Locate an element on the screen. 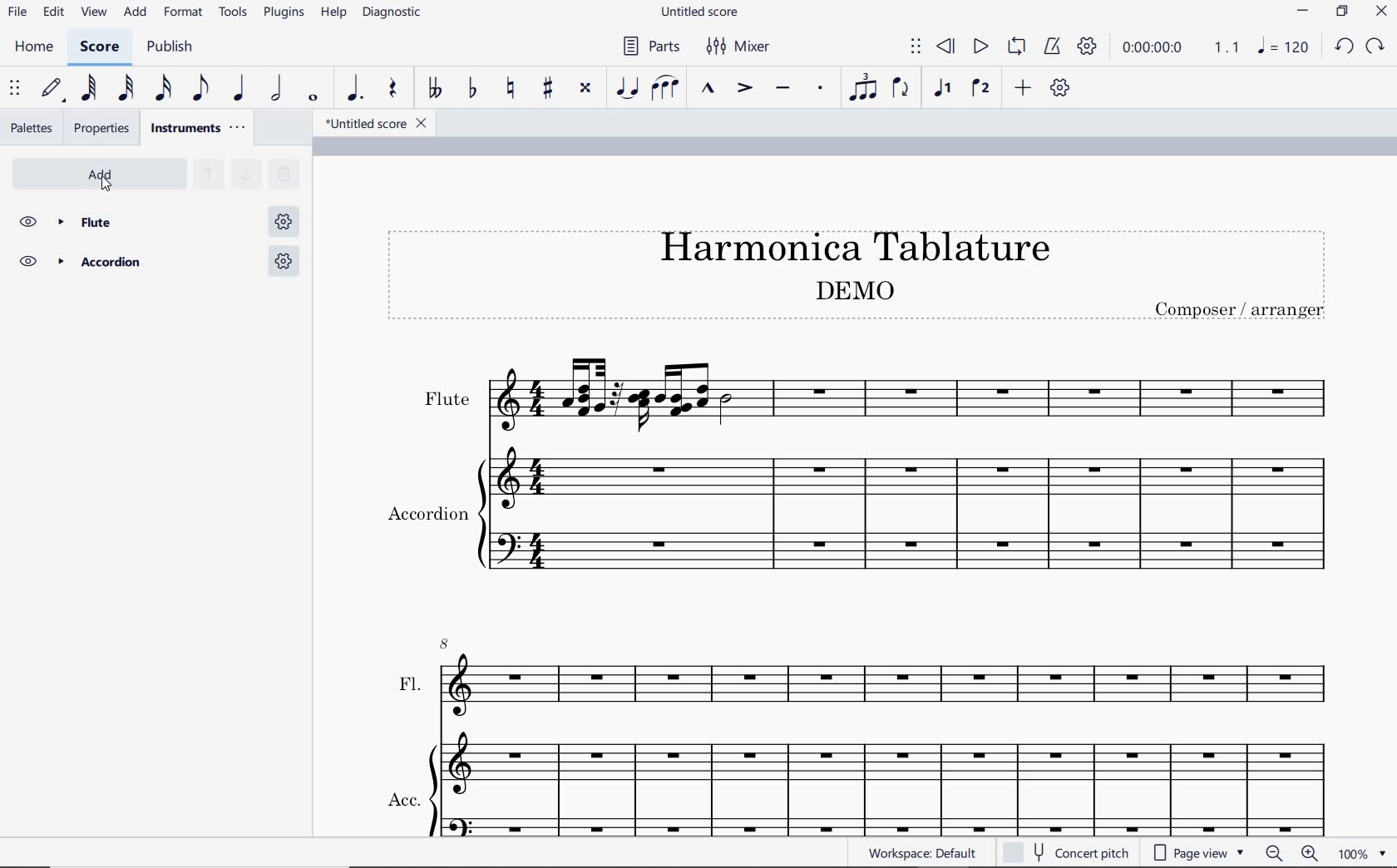 This screenshot has width=1397, height=868. voice1 is located at coordinates (942, 89).